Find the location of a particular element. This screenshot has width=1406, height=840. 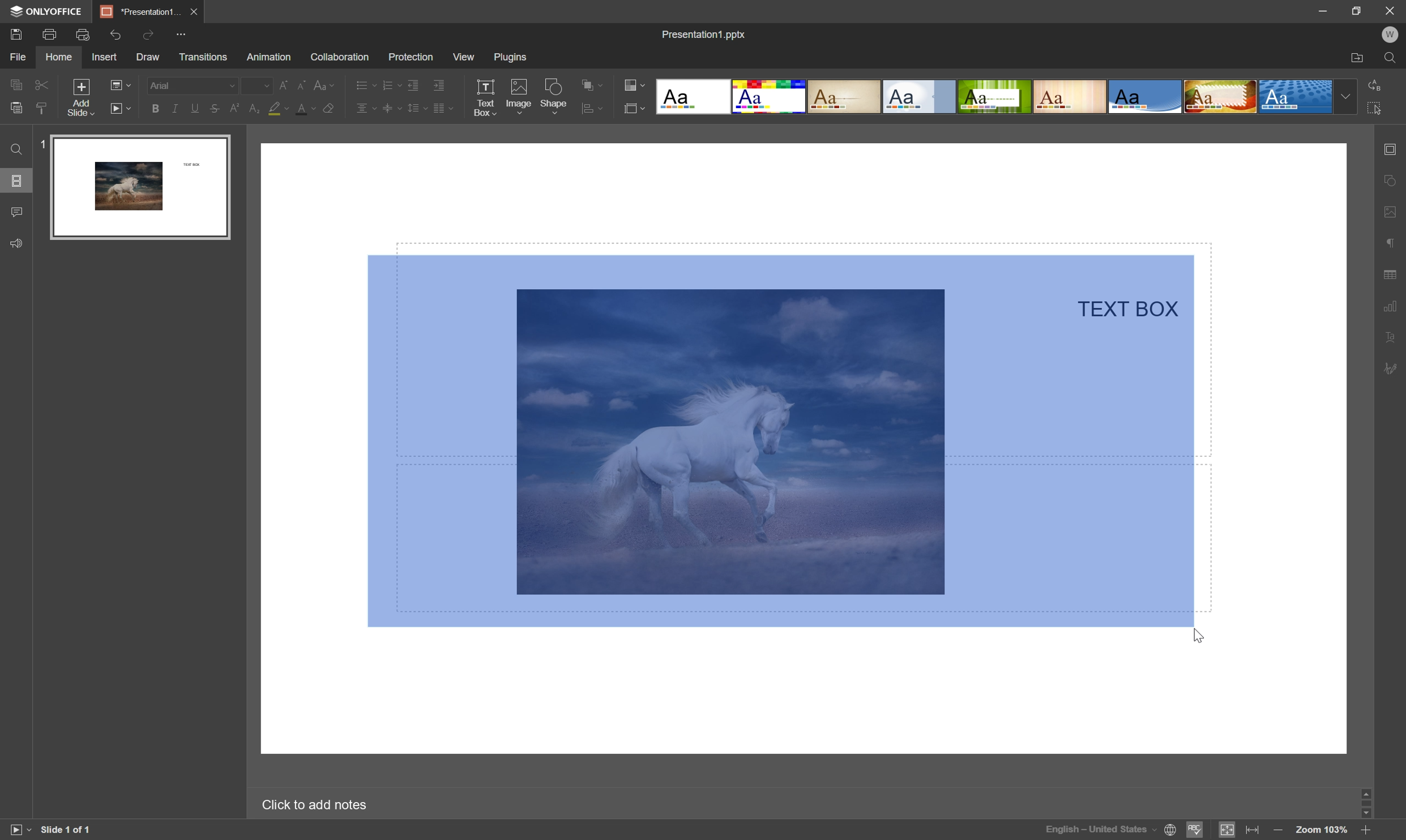

redo is located at coordinates (151, 37).